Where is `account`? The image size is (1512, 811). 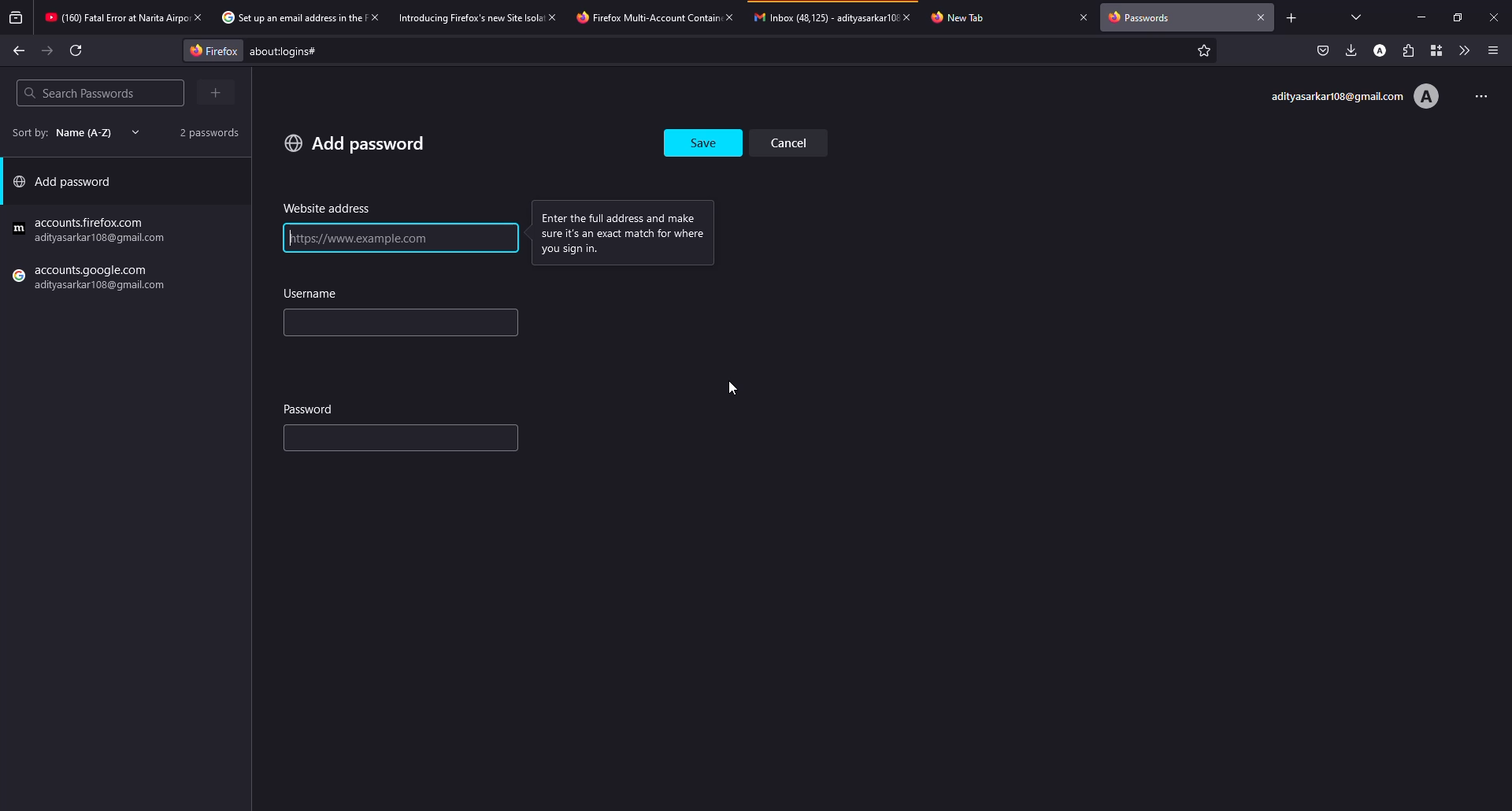 account is located at coordinates (1354, 97).